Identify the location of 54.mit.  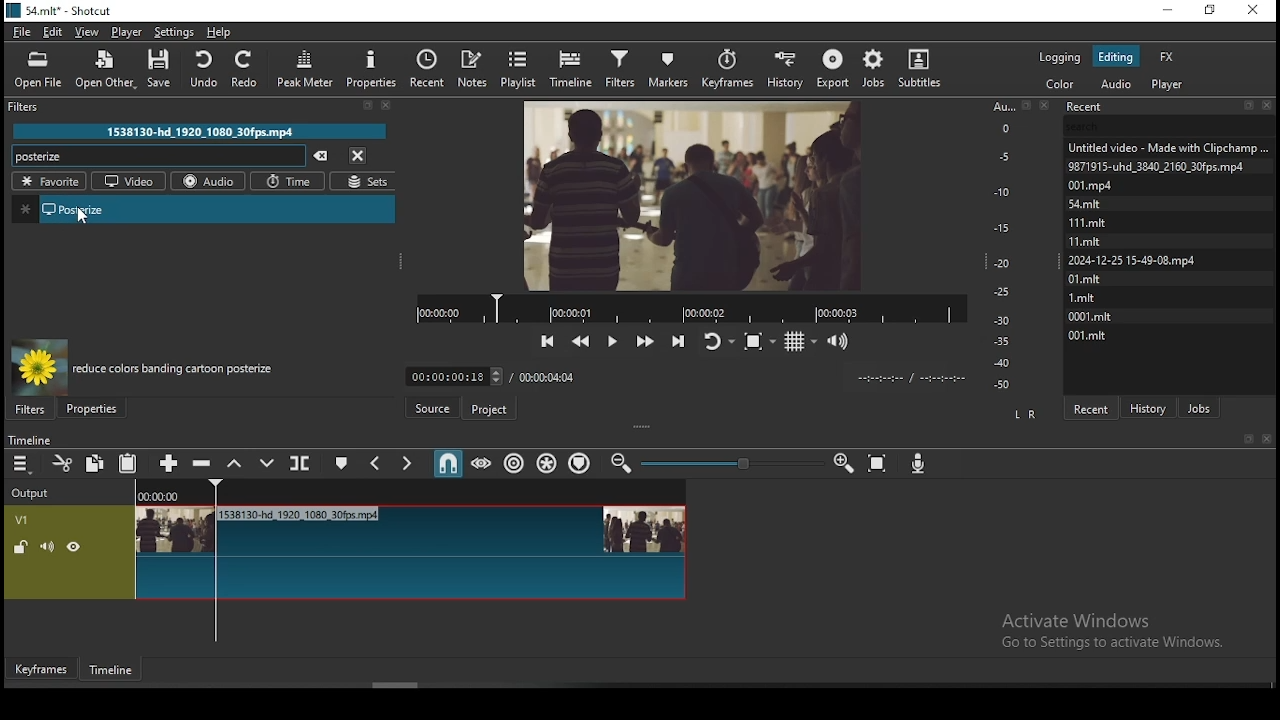
(1084, 203).